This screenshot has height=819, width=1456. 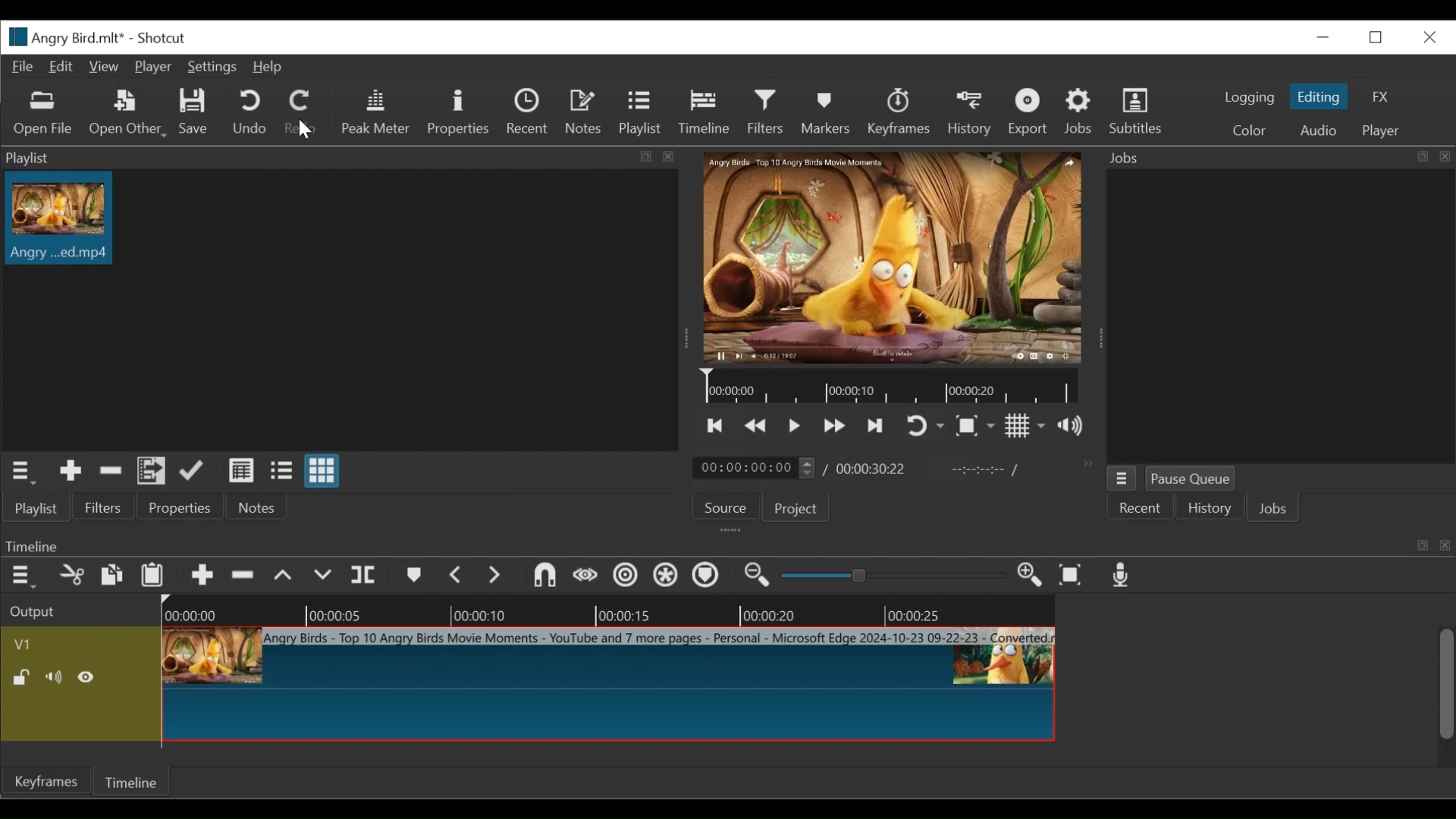 I want to click on Playlist menu, so click(x=20, y=472).